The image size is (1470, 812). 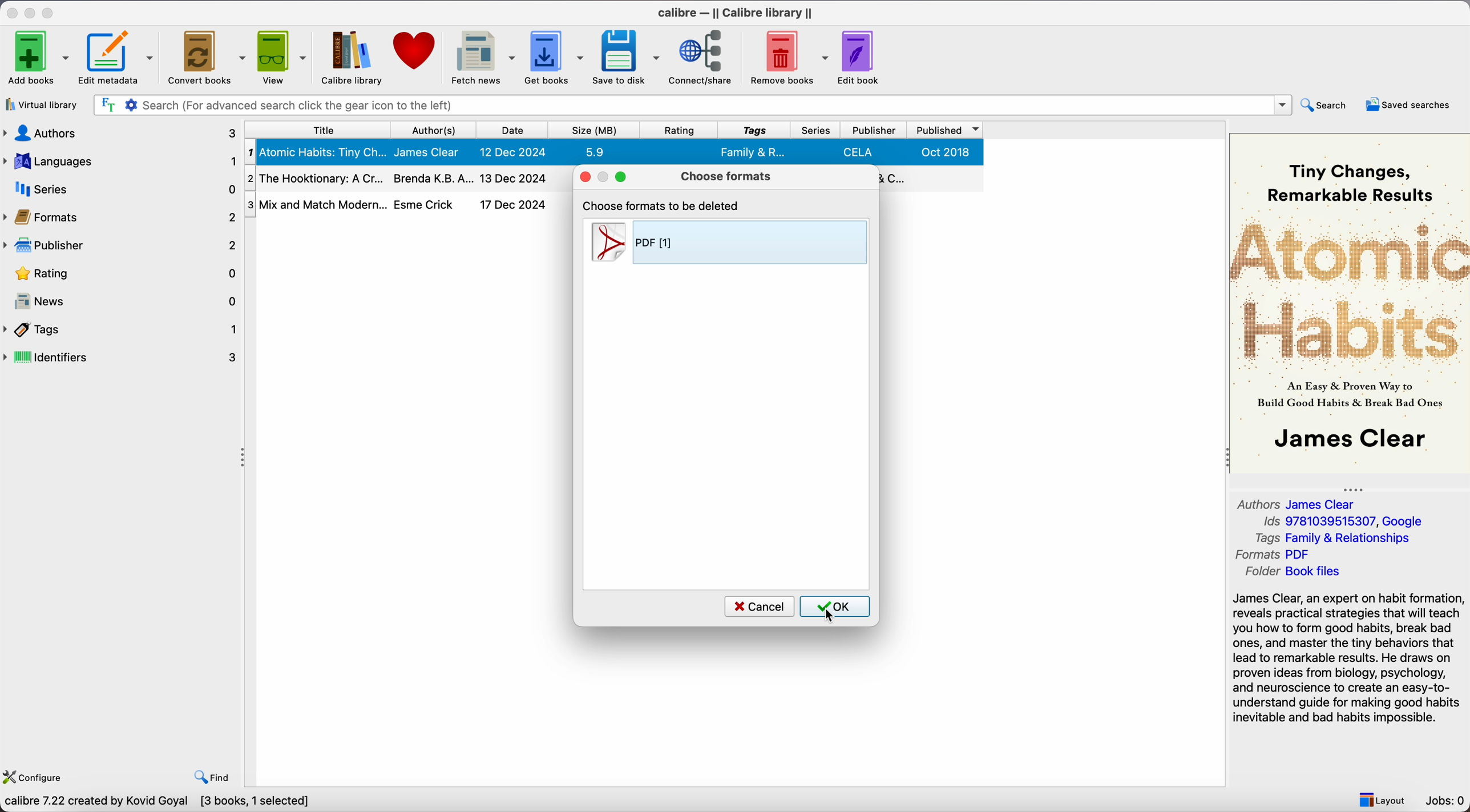 What do you see at coordinates (120, 216) in the screenshot?
I see `formats` at bounding box center [120, 216].